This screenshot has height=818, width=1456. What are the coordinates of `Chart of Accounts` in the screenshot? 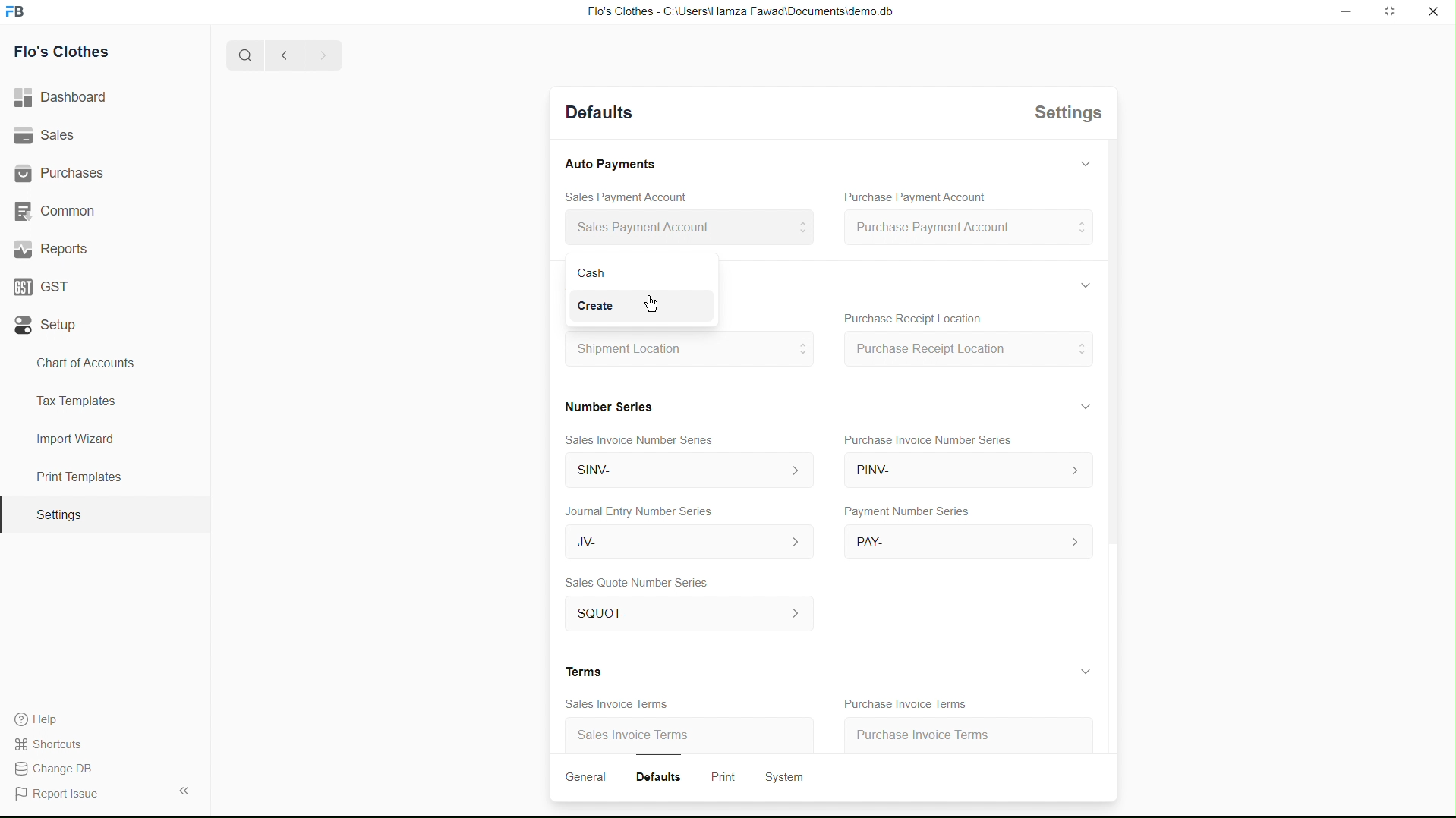 It's located at (81, 363).